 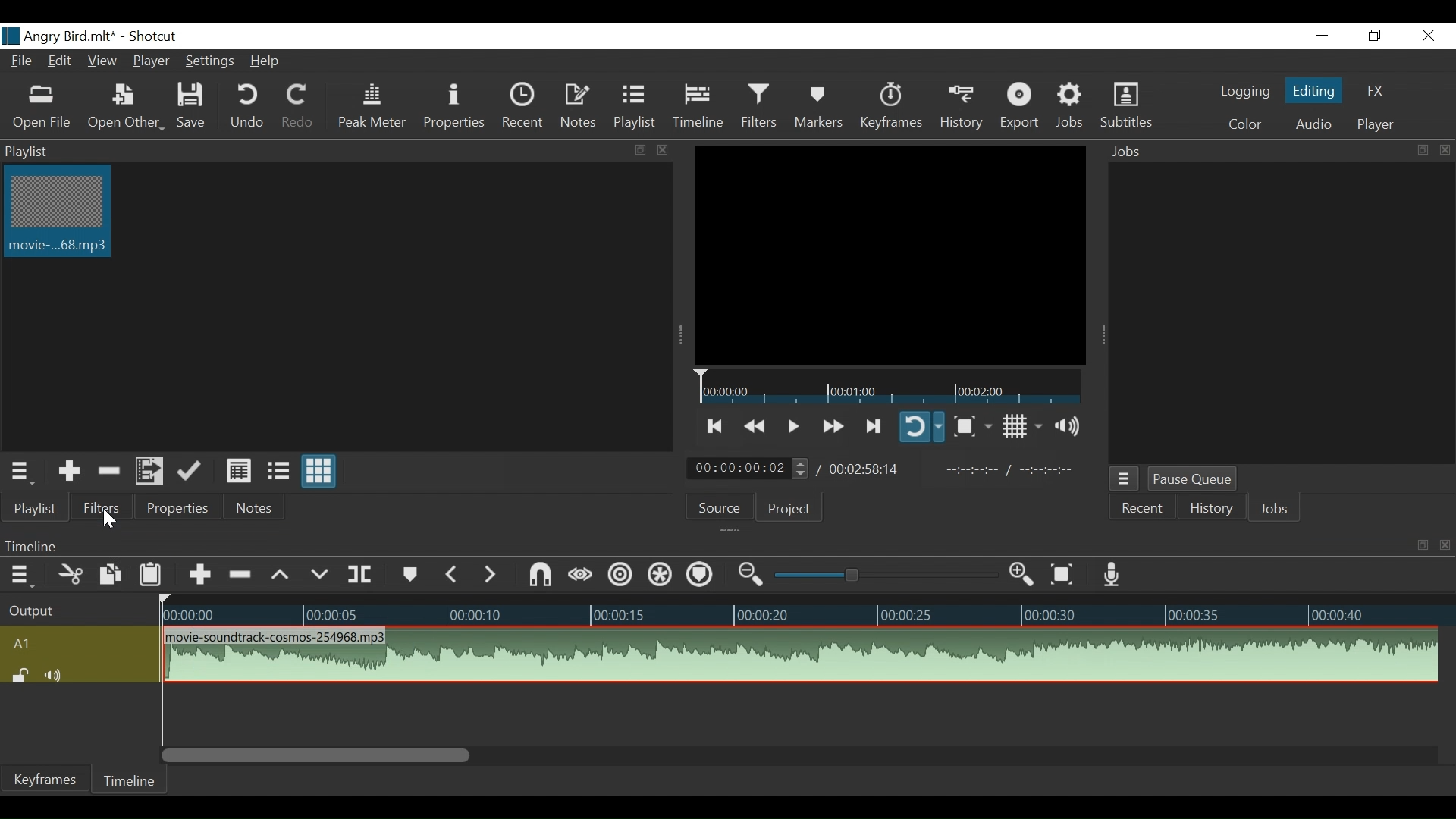 I want to click on Recent, so click(x=525, y=105).